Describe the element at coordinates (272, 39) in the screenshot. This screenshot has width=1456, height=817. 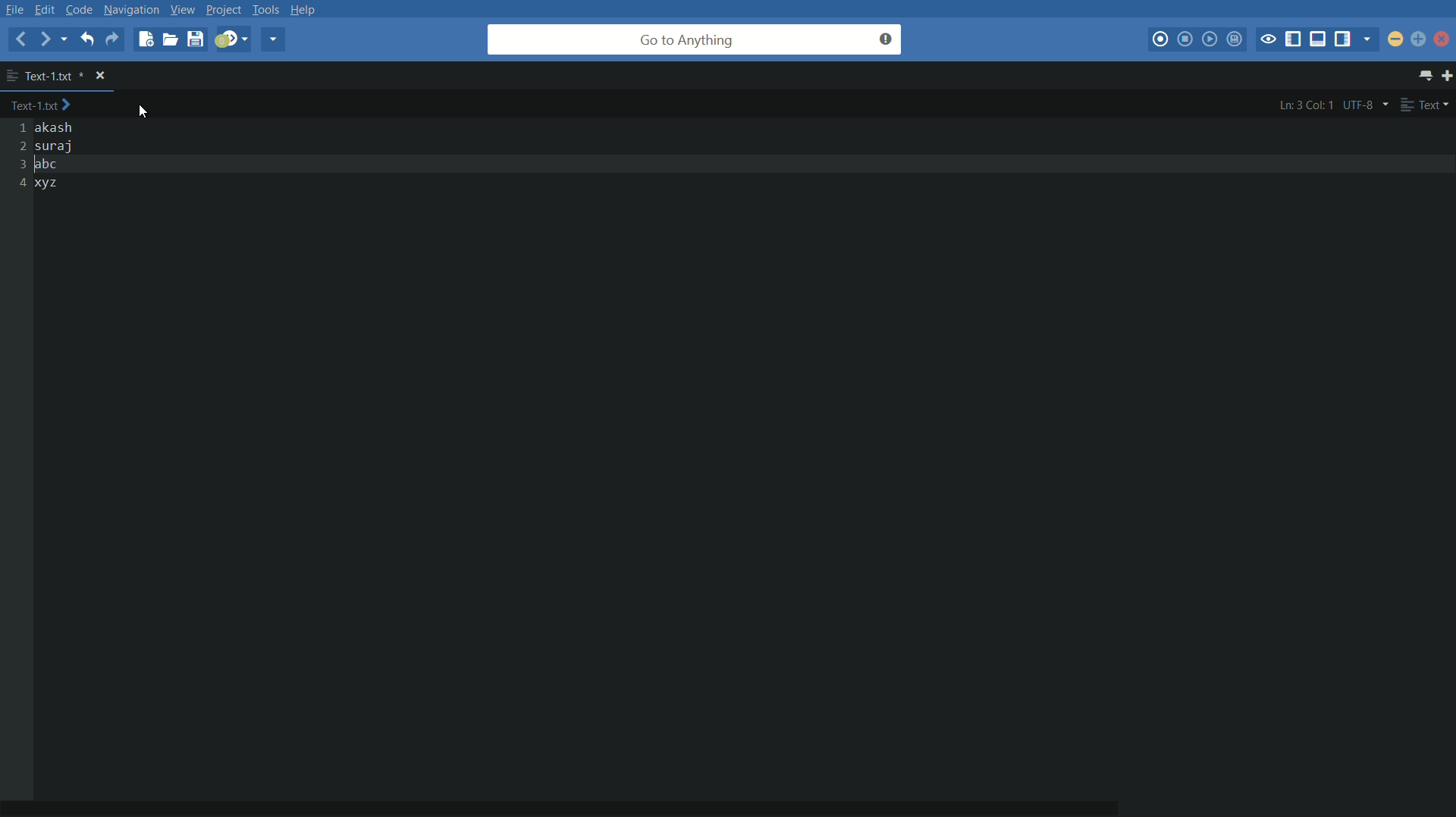
I see `share current file` at that location.